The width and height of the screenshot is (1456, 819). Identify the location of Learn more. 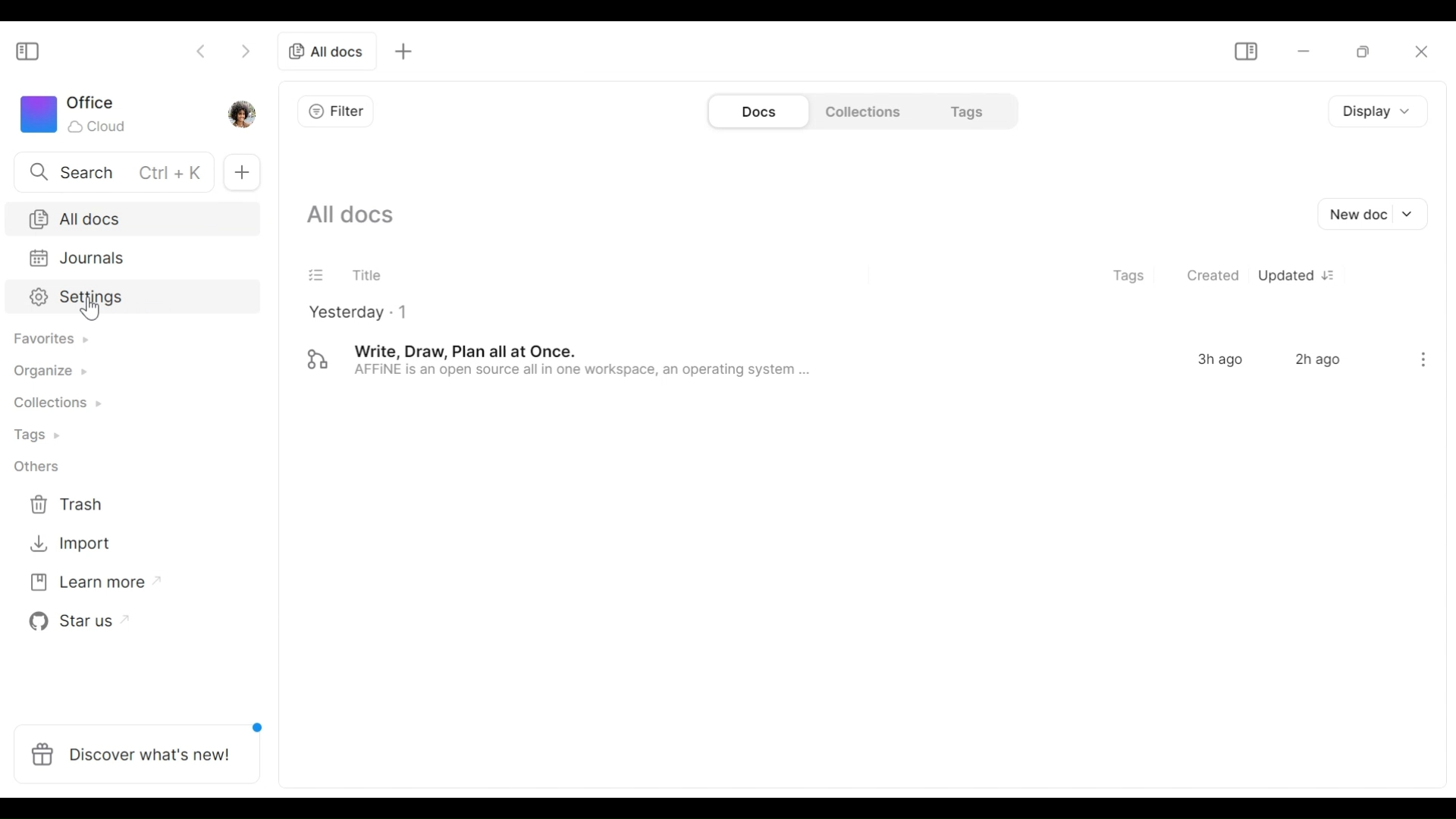
(87, 583).